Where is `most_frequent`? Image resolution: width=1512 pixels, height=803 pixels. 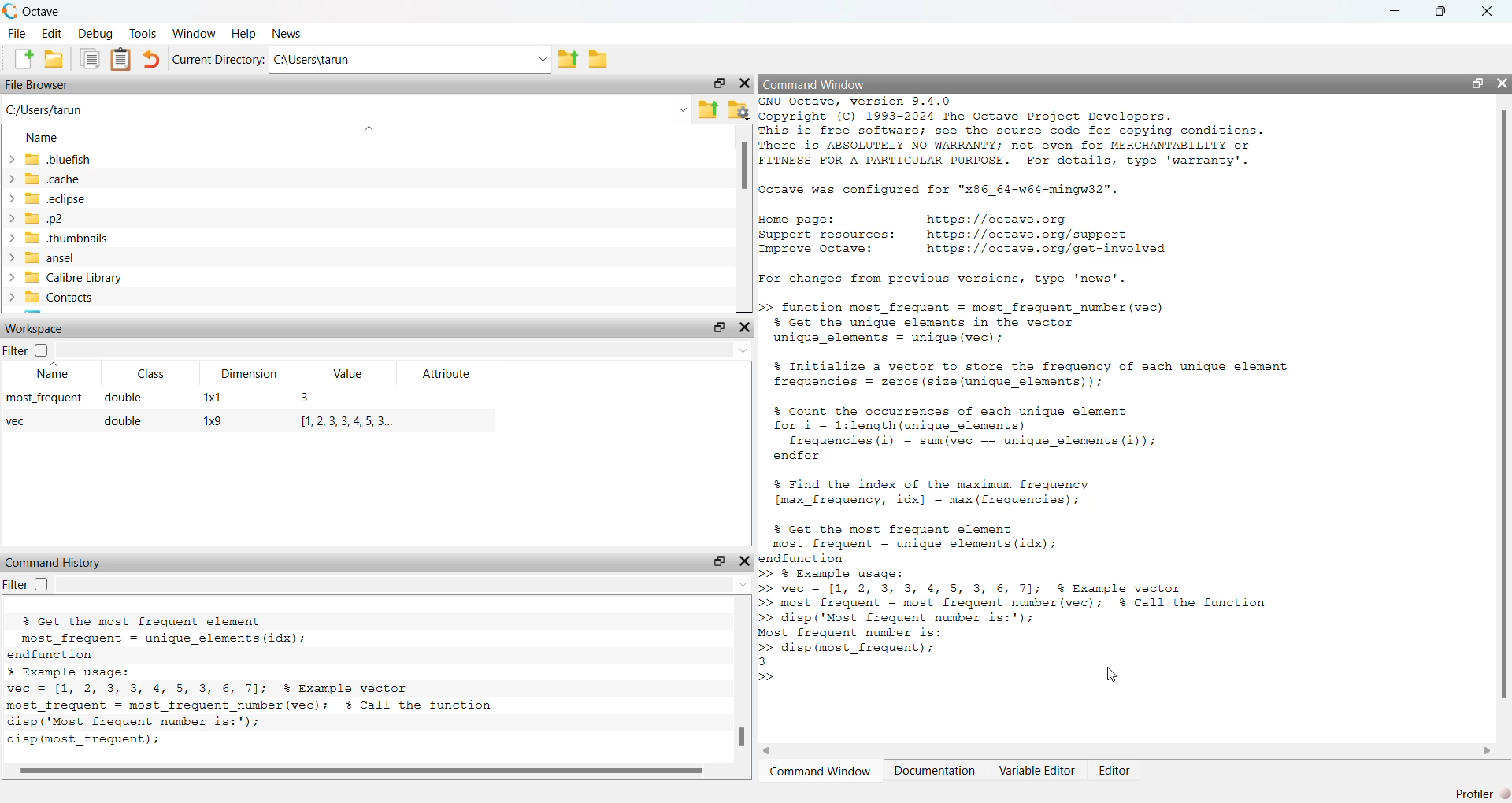
most_frequent is located at coordinates (44, 398).